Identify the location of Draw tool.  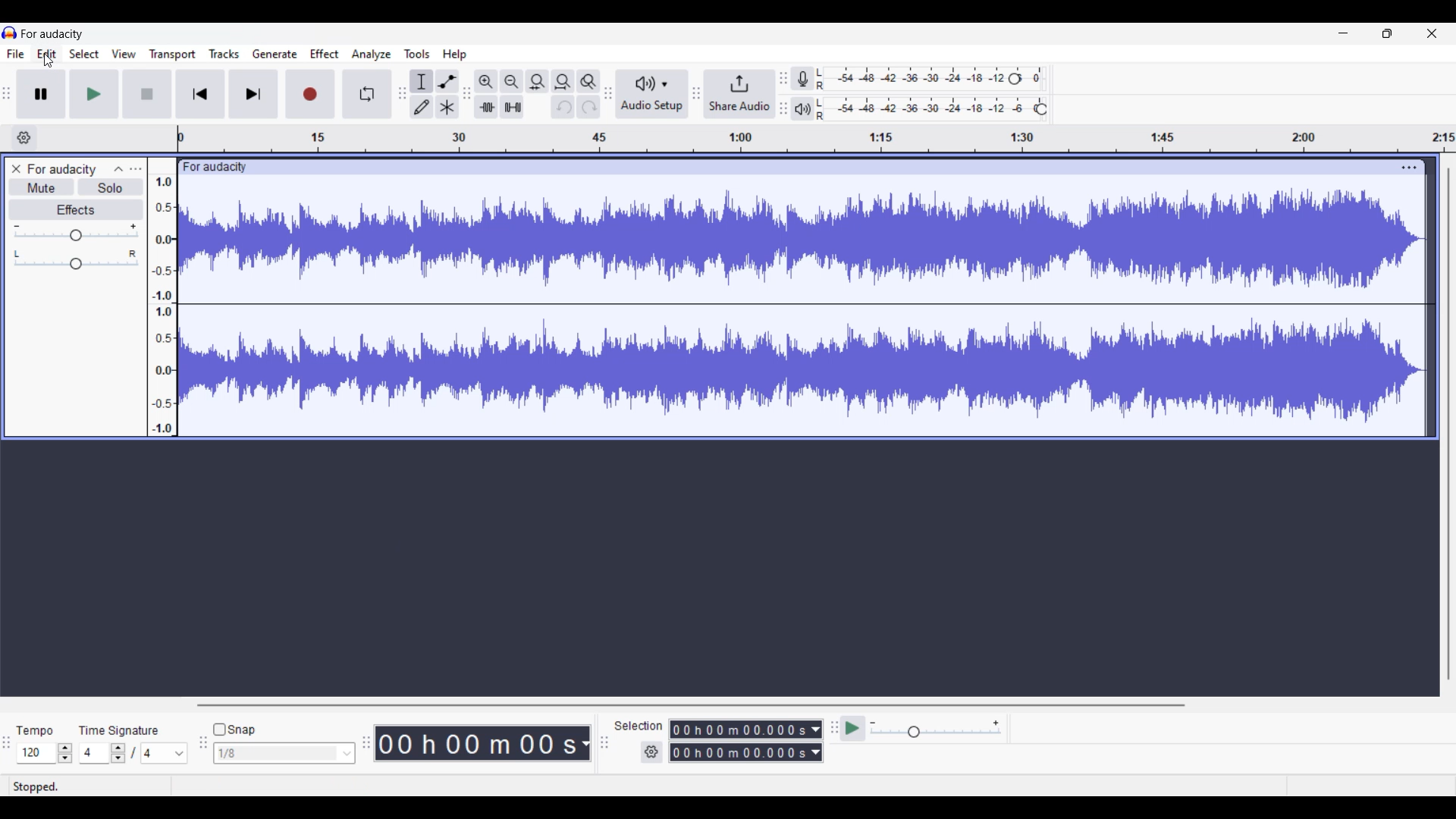
(422, 107).